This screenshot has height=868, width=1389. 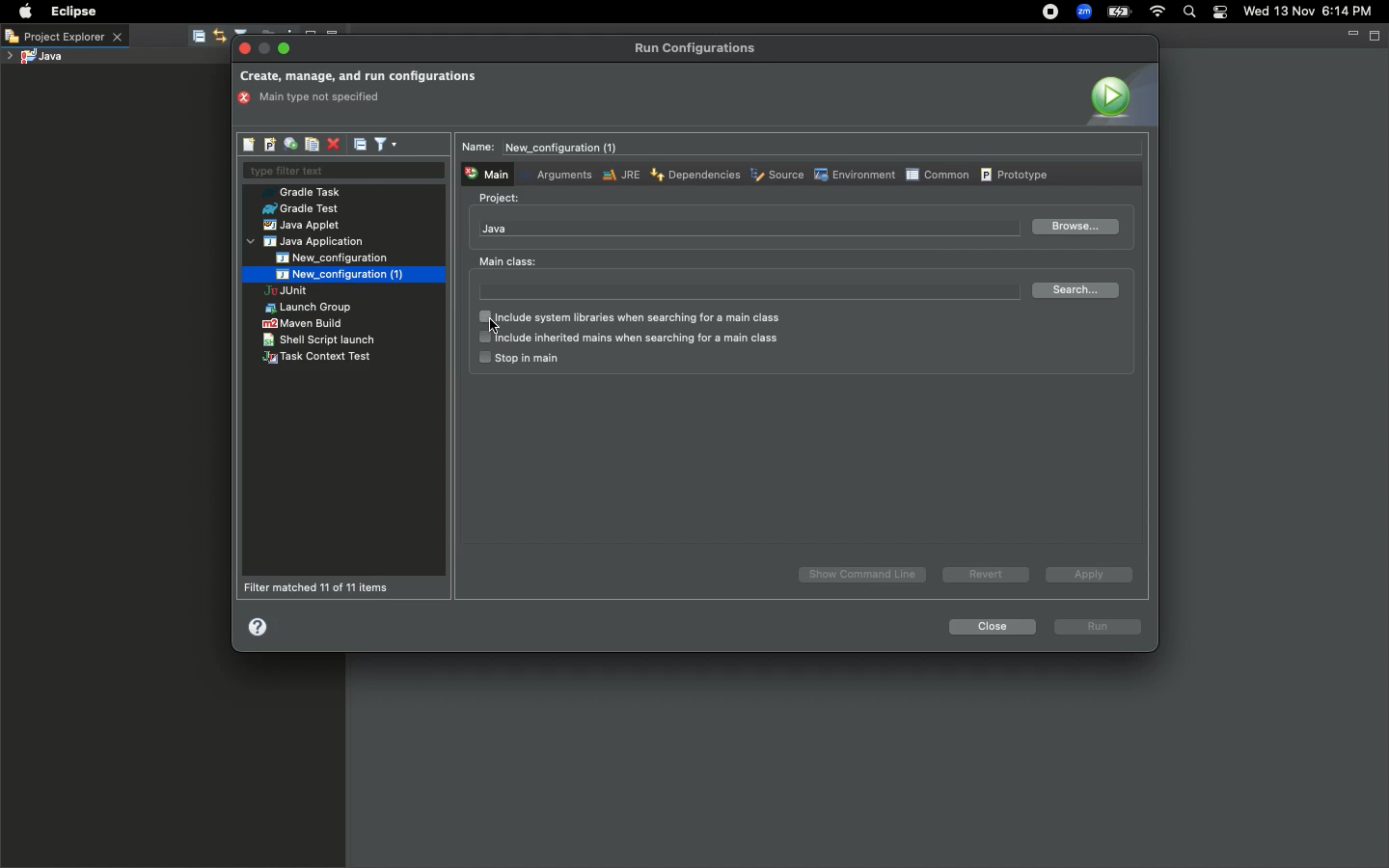 I want to click on icons, so click(x=207, y=38).